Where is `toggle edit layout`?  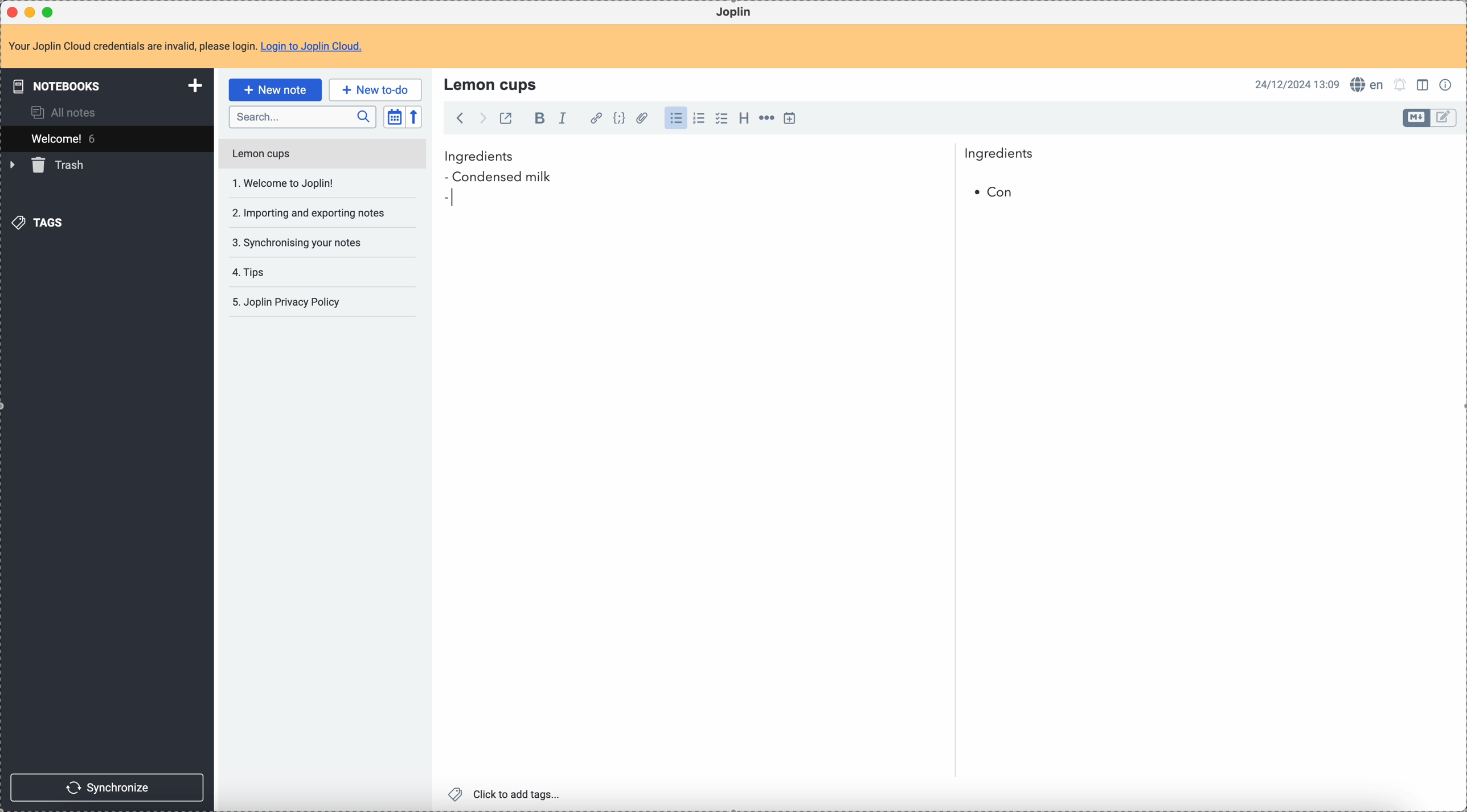
toggle edit layout is located at coordinates (1444, 118).